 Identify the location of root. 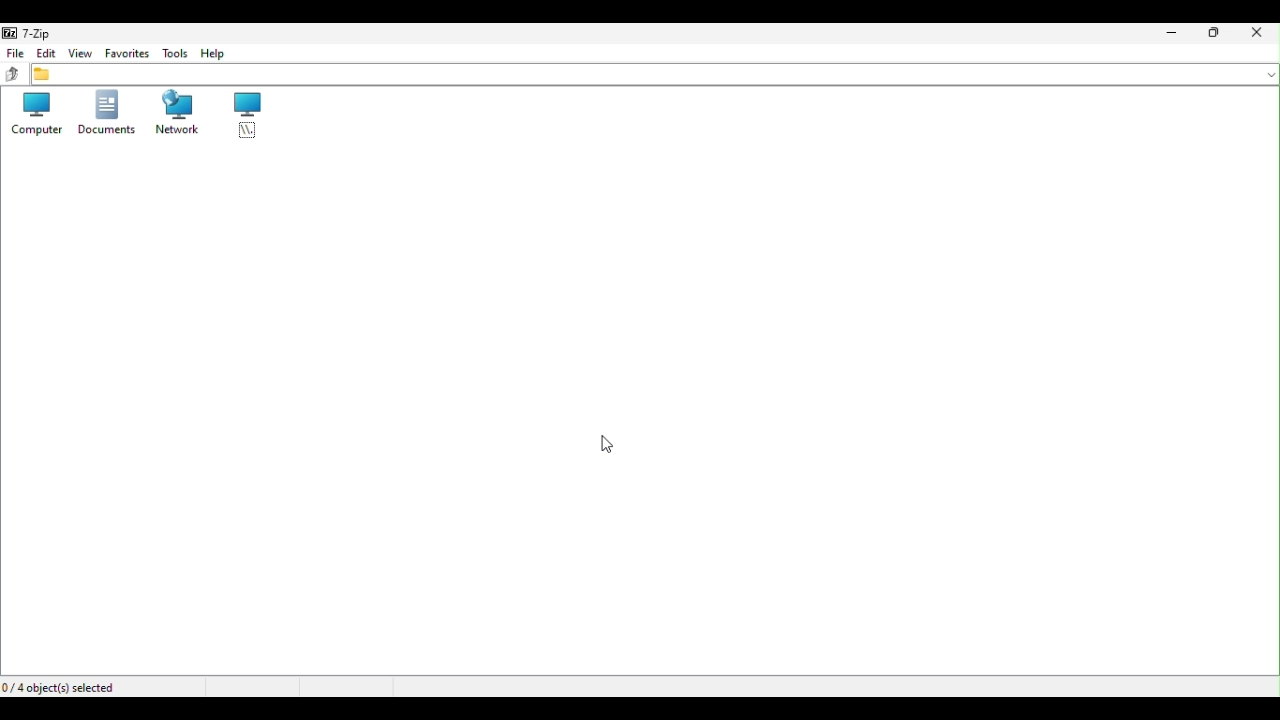
(245, 114).